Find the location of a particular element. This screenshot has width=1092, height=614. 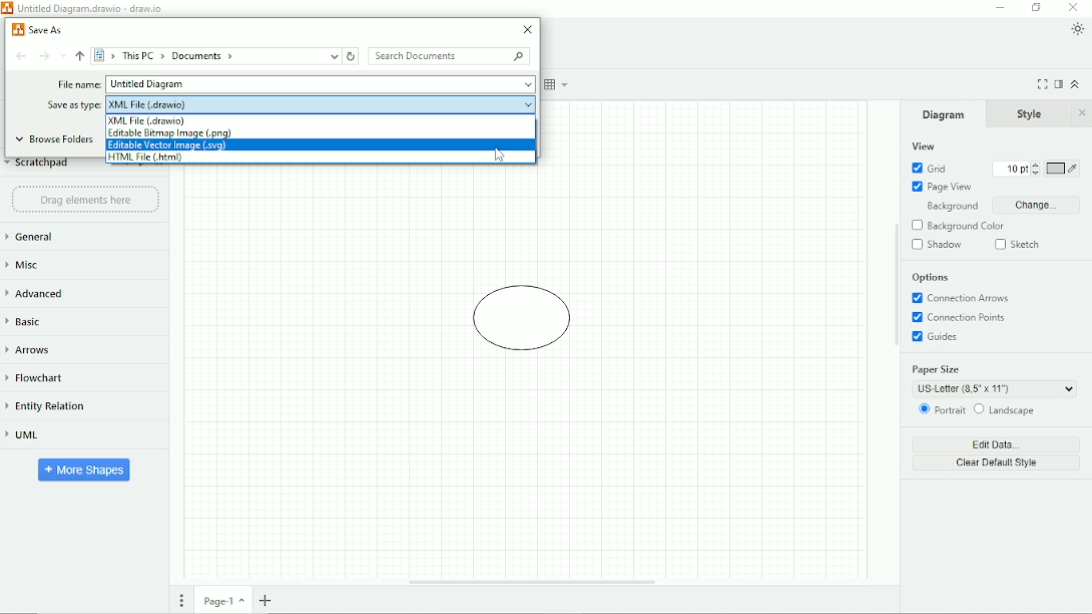

Close is located at coordinates (528, 30).